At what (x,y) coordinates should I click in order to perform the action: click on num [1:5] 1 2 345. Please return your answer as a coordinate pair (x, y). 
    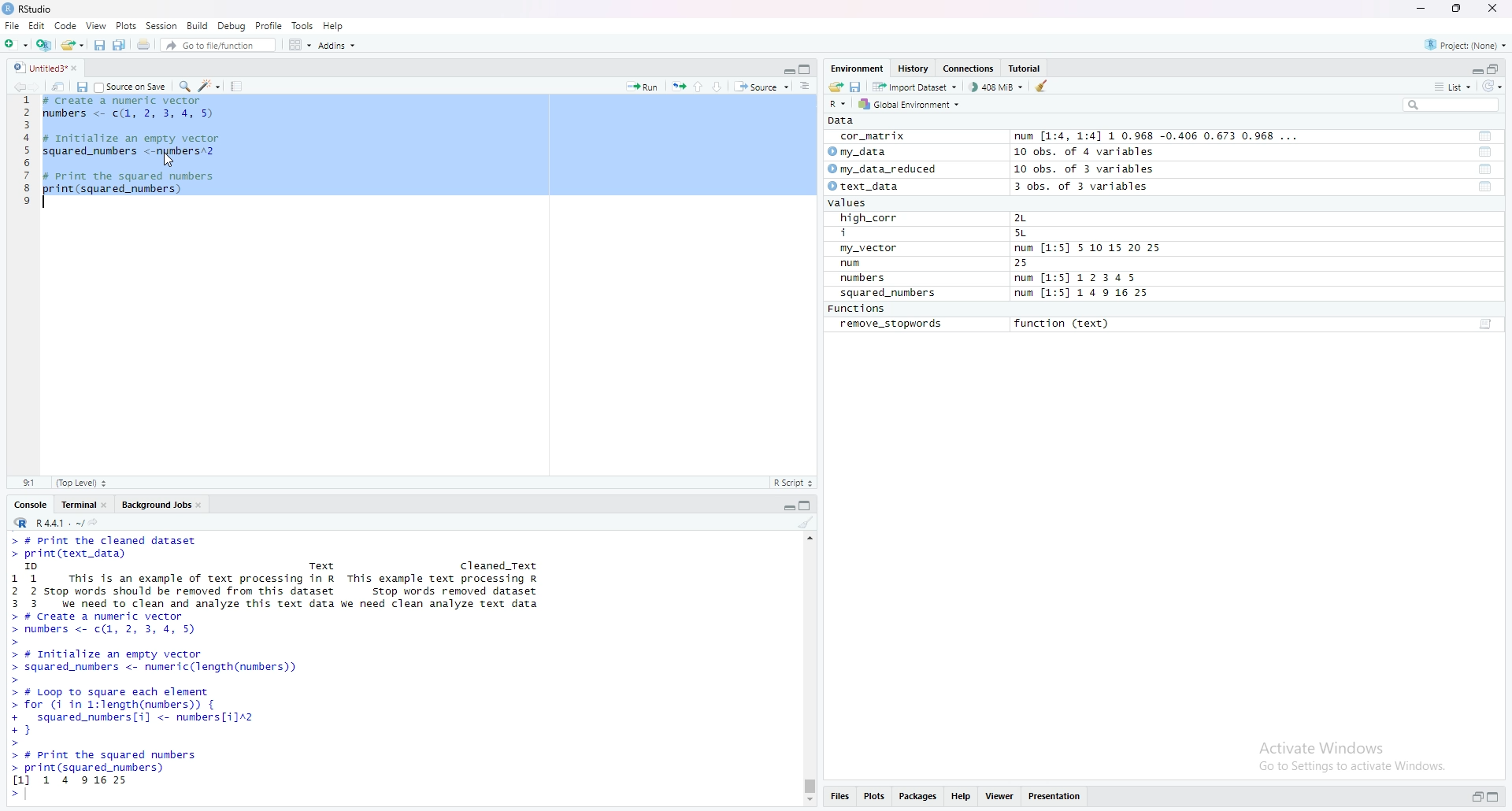
    Looking at the image, I should click on (1080, 279).